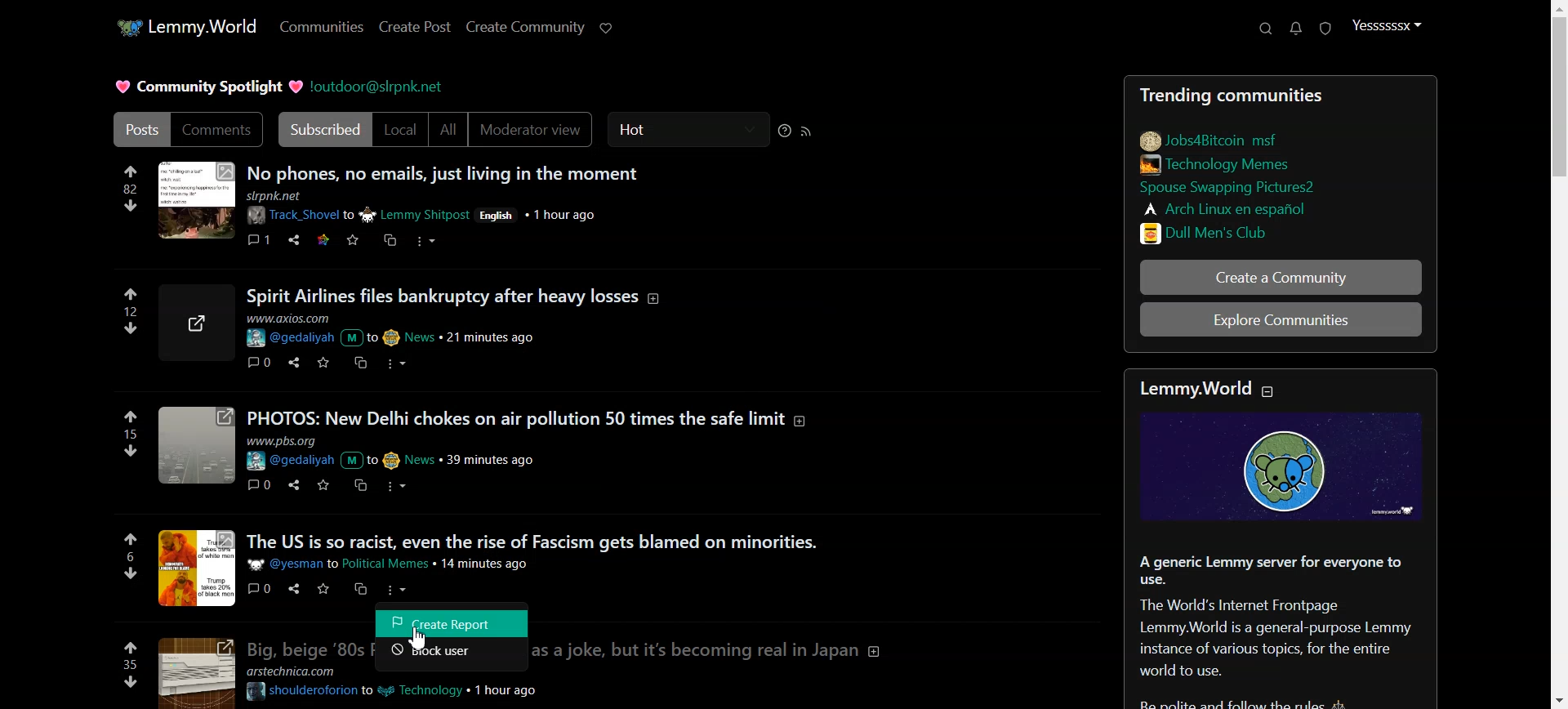 This screenshot has height=709, width=1568. I want to click on Posts, so click(446, 171).